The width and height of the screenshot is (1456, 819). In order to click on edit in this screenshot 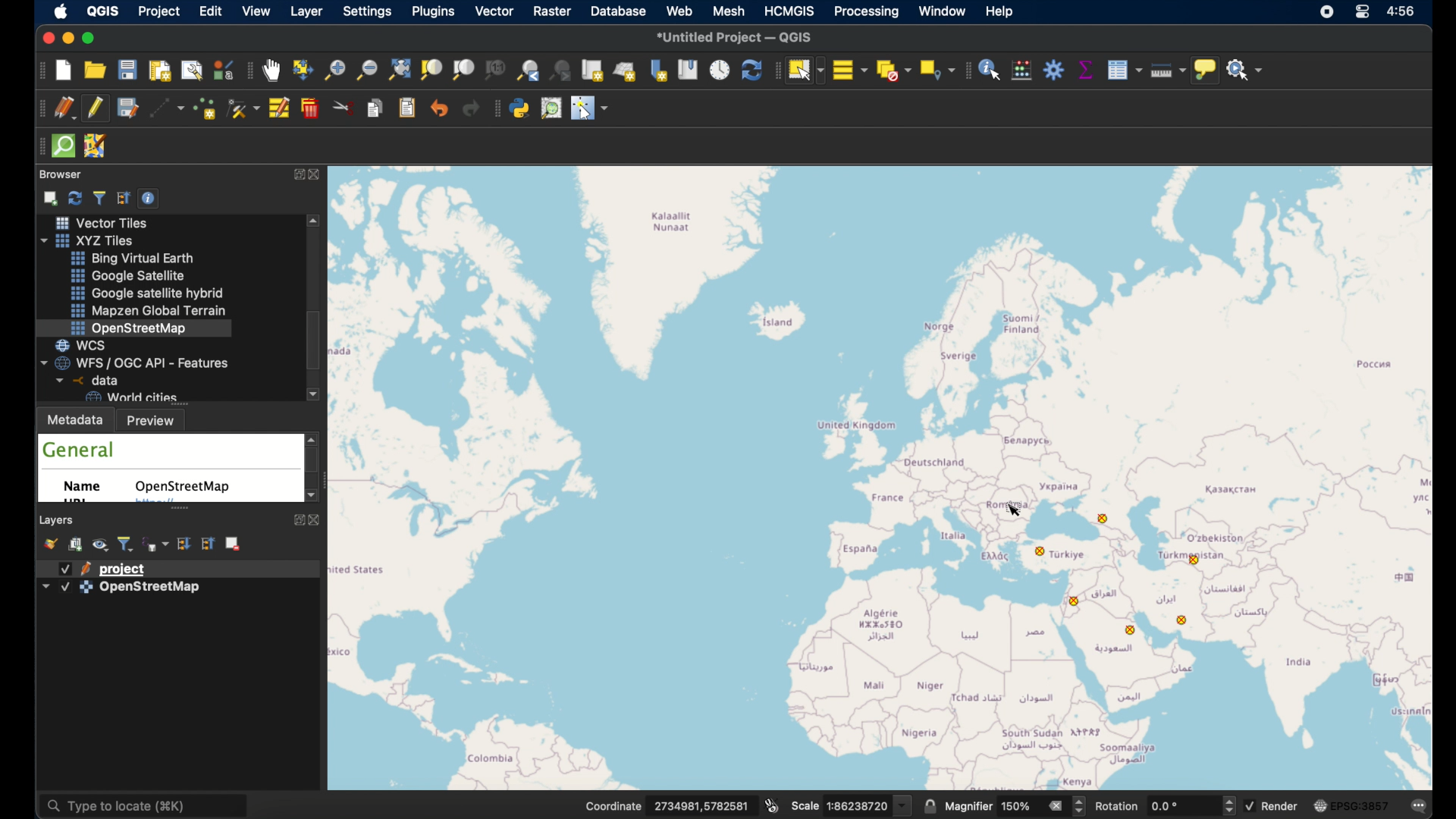, I will do `click(212, 11)`.